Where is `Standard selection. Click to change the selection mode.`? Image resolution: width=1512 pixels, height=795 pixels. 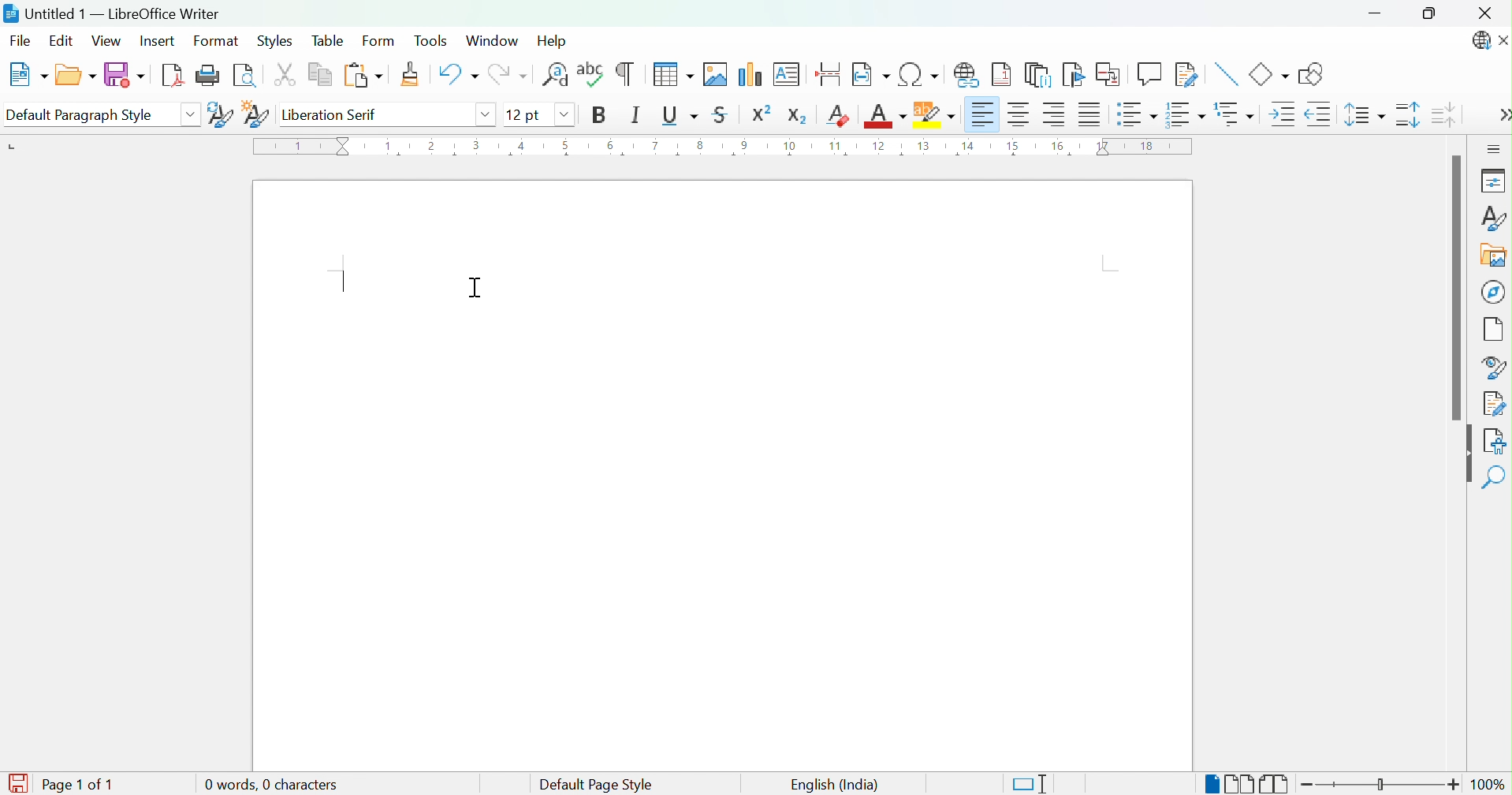
Standard selection. Click to change the selection mode. is located at coordinates (1030, 784).